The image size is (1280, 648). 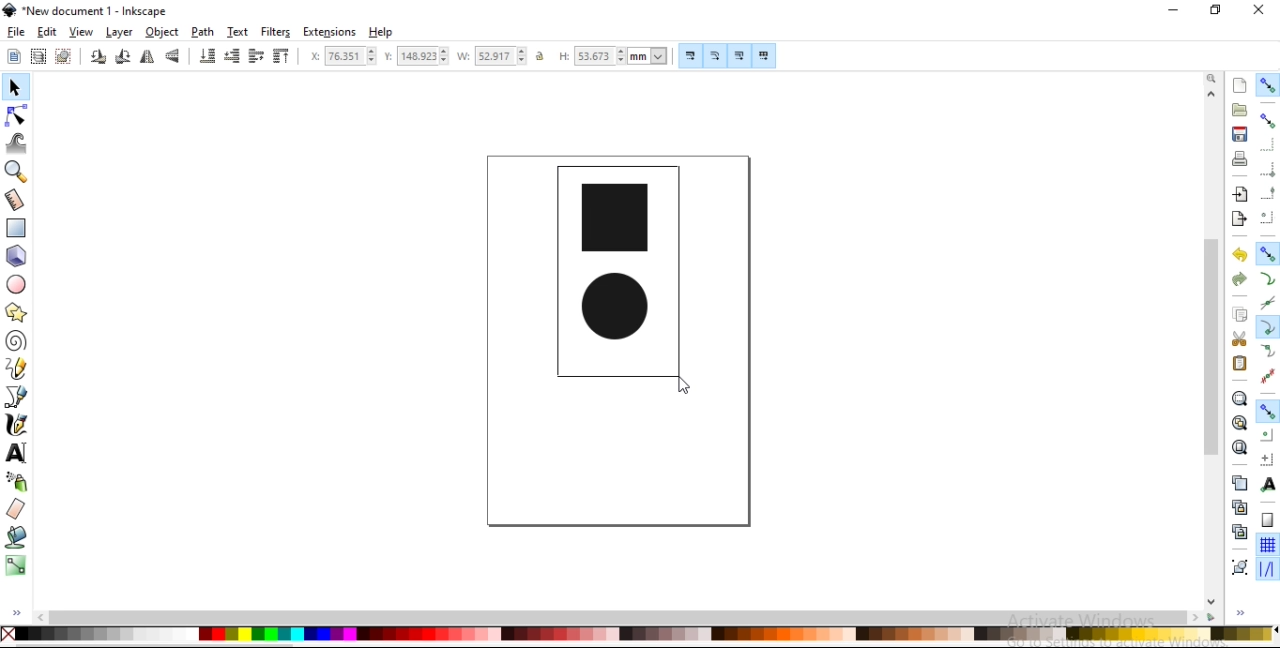 I want to click on create aclone, so click(x=1238, y=508).